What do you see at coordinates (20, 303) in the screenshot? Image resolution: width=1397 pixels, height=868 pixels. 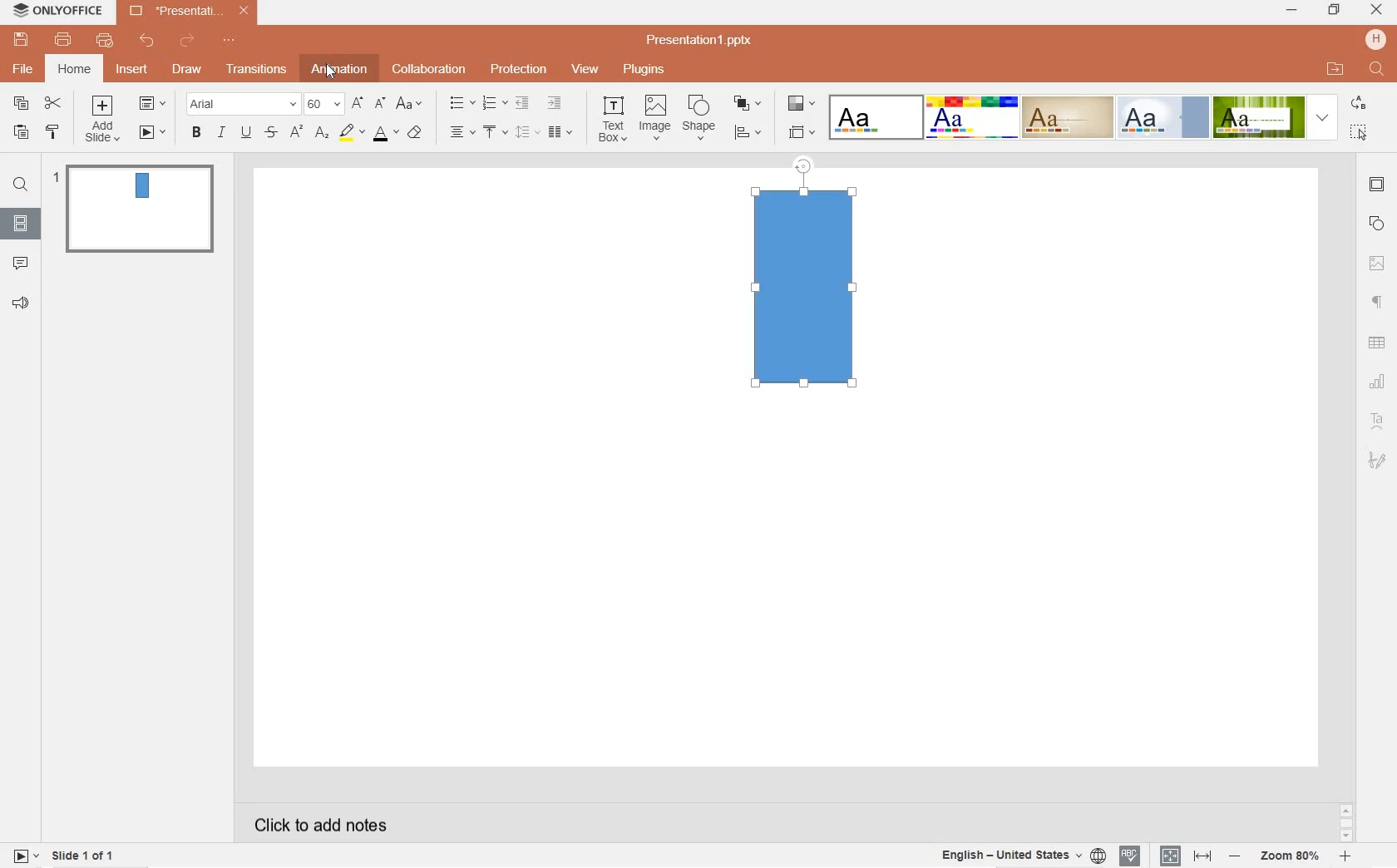 I see `feedback & support` at bounding box center [20, 303].